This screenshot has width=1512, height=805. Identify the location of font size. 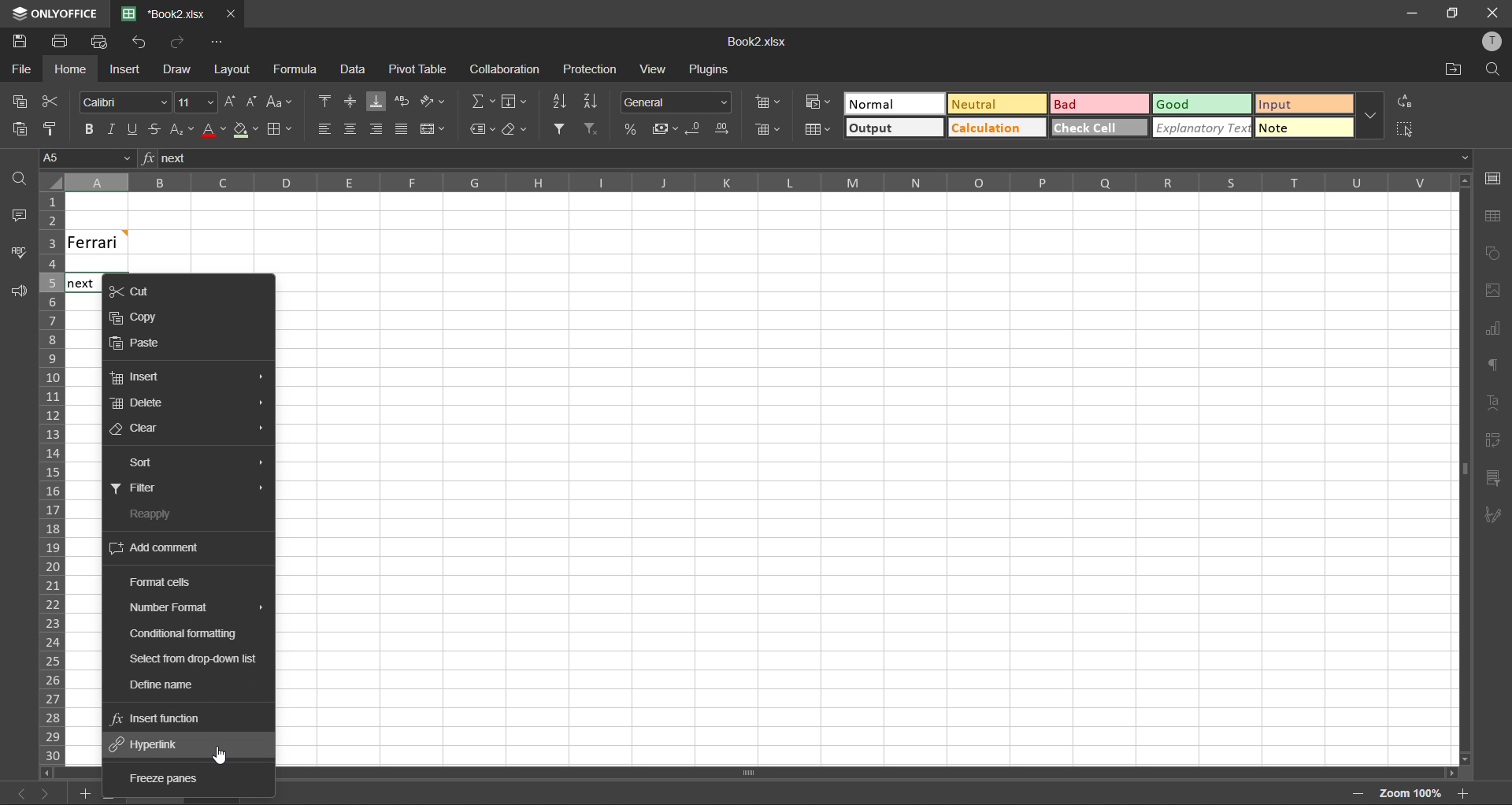
(195, 101).